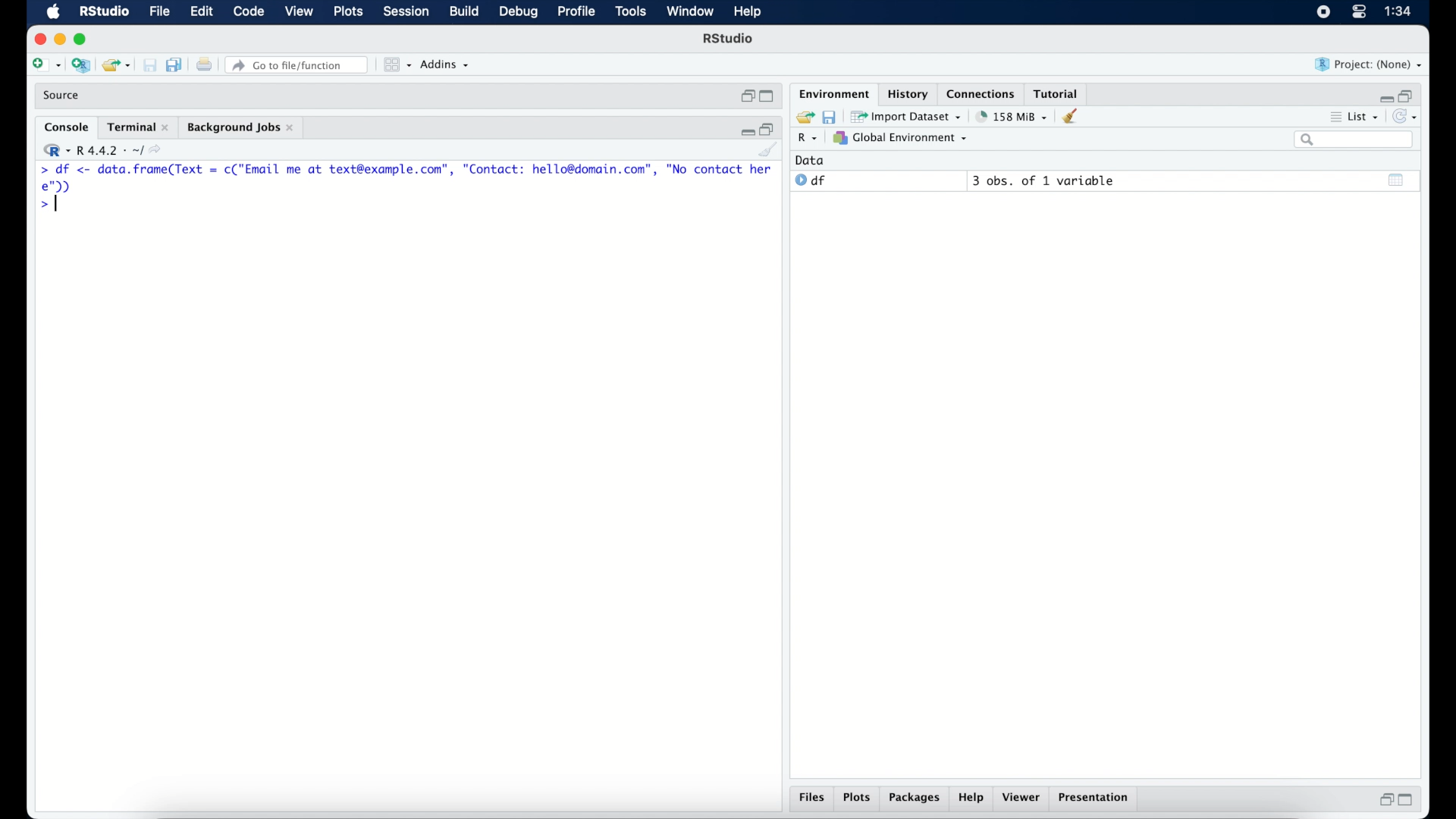 Image resolution: width=1456 pixels, height=819 pixels. What do you see at coordinates (1059, 92) in the screenshot?
I see `tutorial` at bounding box center [1059, 92].